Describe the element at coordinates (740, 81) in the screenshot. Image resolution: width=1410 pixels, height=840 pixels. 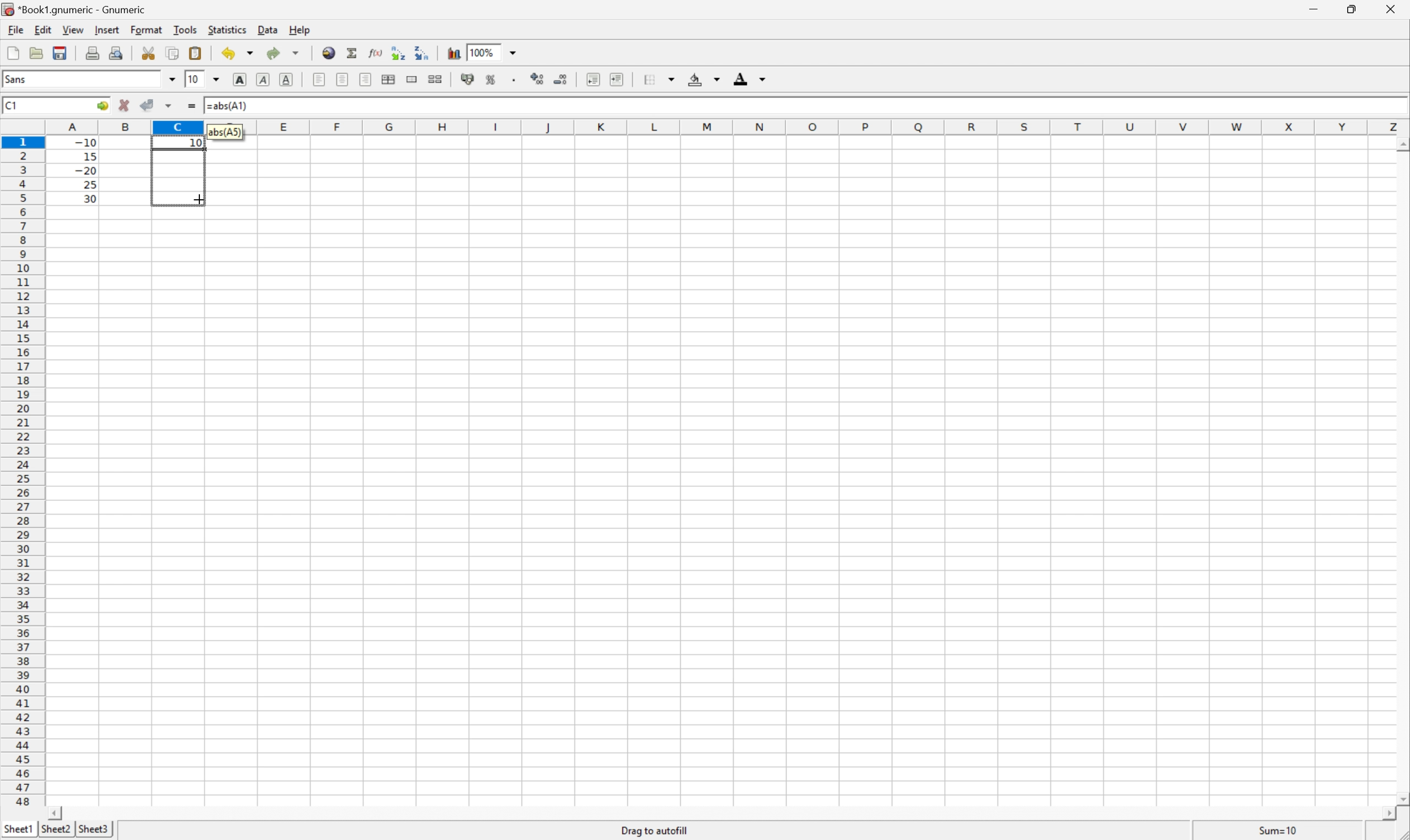
I see `Foreground` at that location.